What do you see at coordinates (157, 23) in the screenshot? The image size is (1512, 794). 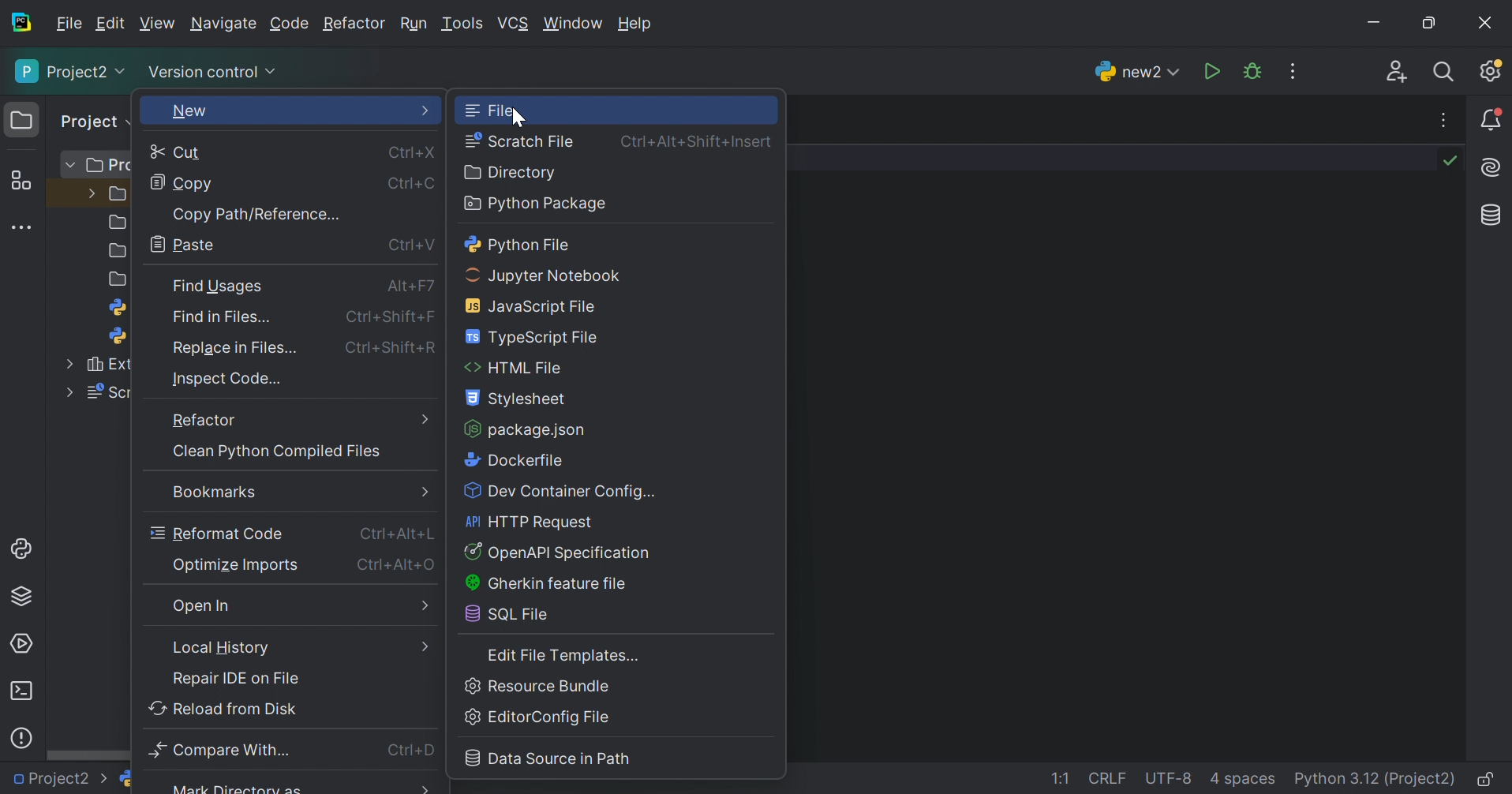 I see `View` at bounding box center [157, 23].